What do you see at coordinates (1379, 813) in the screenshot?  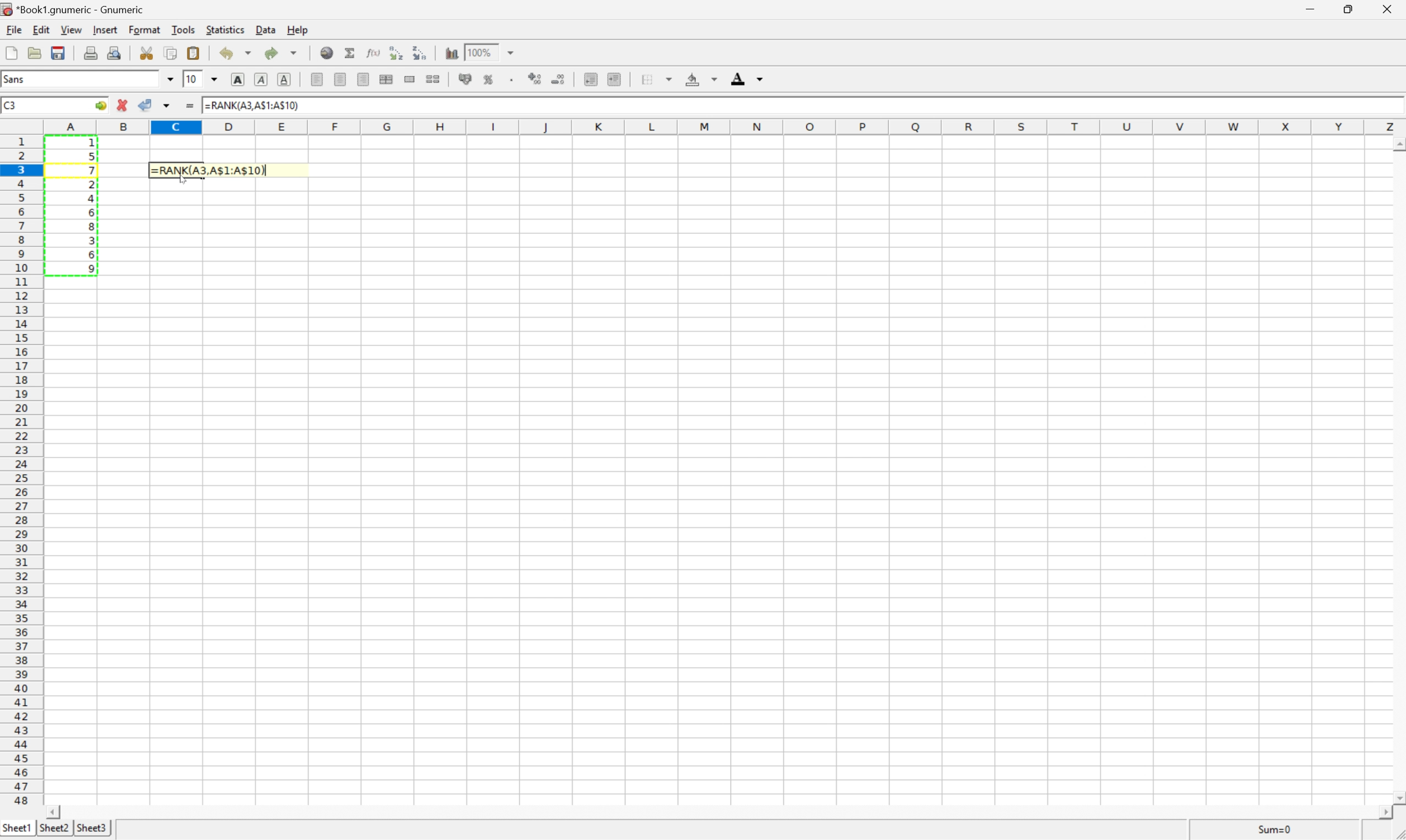 I see `scroll right` at bounding box center [1379, 813].